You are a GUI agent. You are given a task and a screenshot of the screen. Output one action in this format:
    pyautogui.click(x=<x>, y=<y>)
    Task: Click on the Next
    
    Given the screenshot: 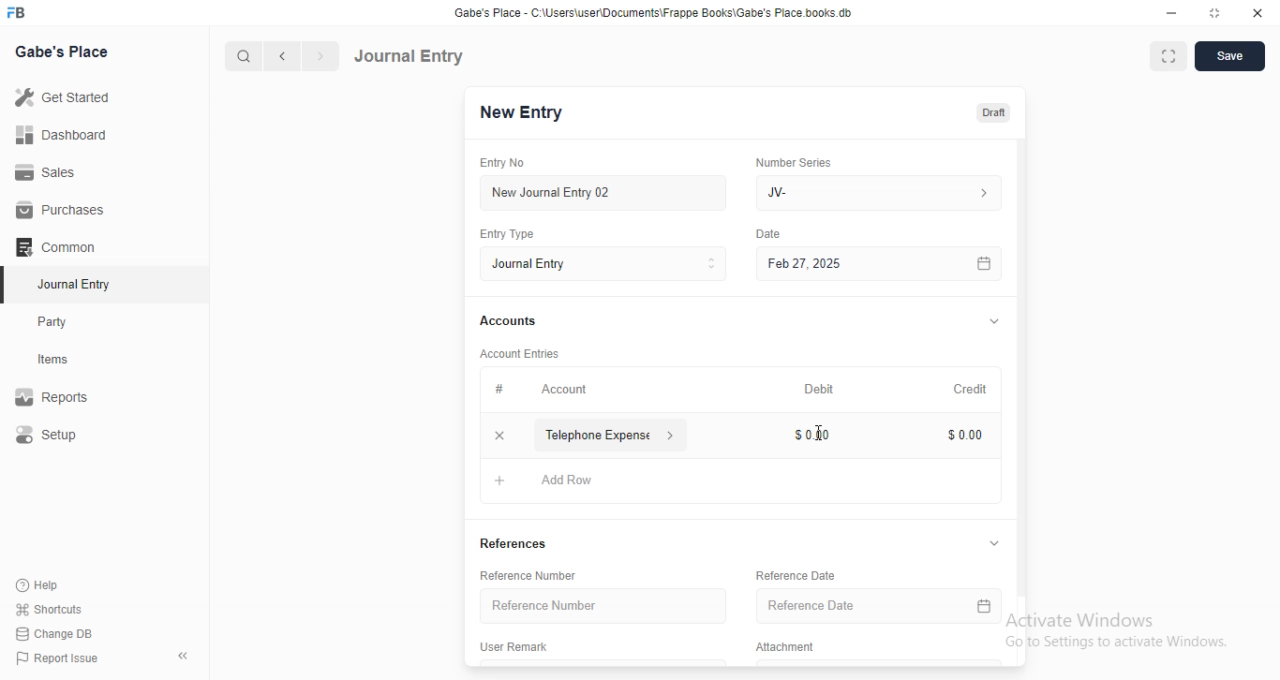 What is the action you would take?
    pyautogui.click(x=319, y=56)
    